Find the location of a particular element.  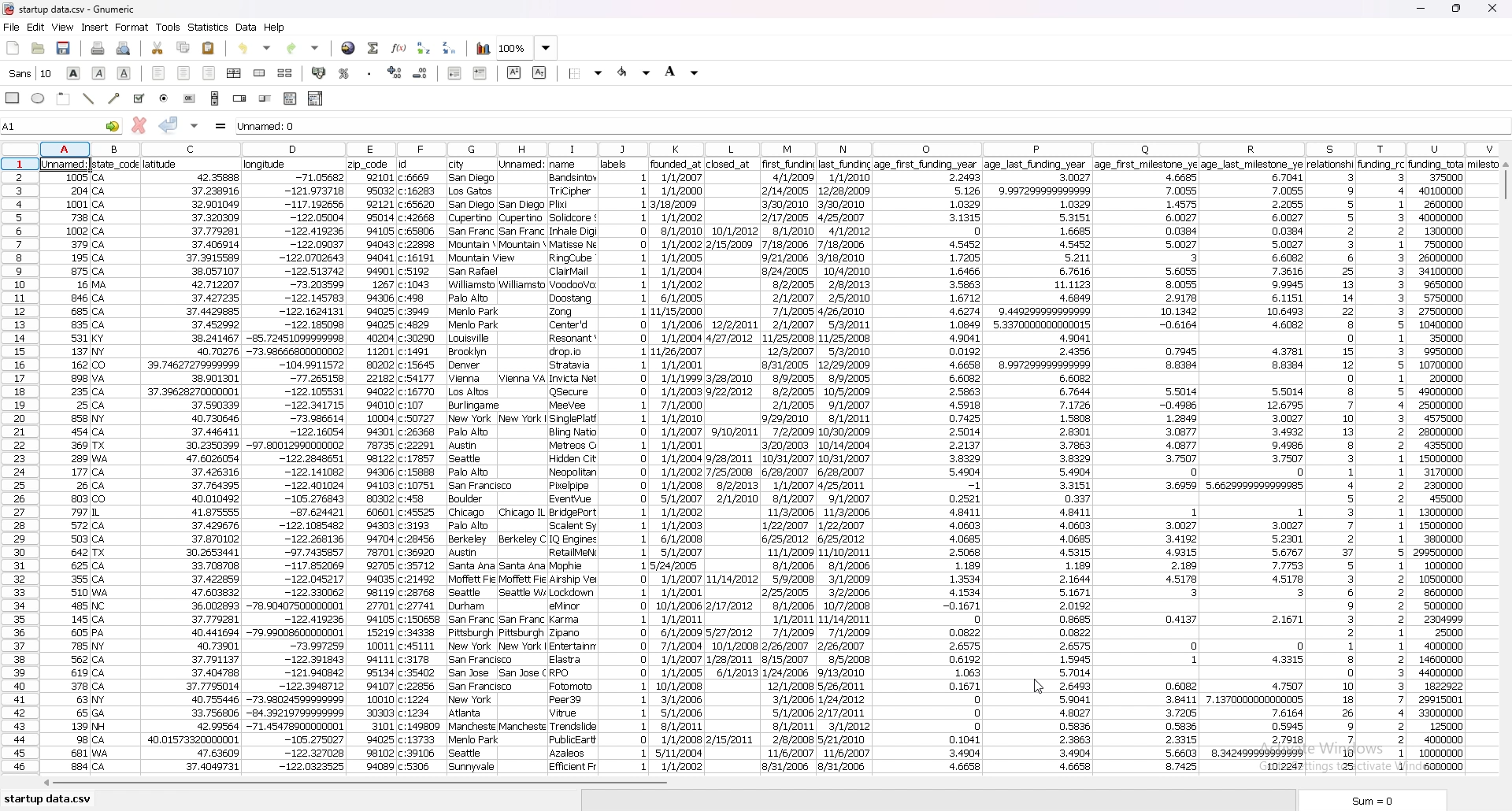

file is located at coordinates (12, 28).